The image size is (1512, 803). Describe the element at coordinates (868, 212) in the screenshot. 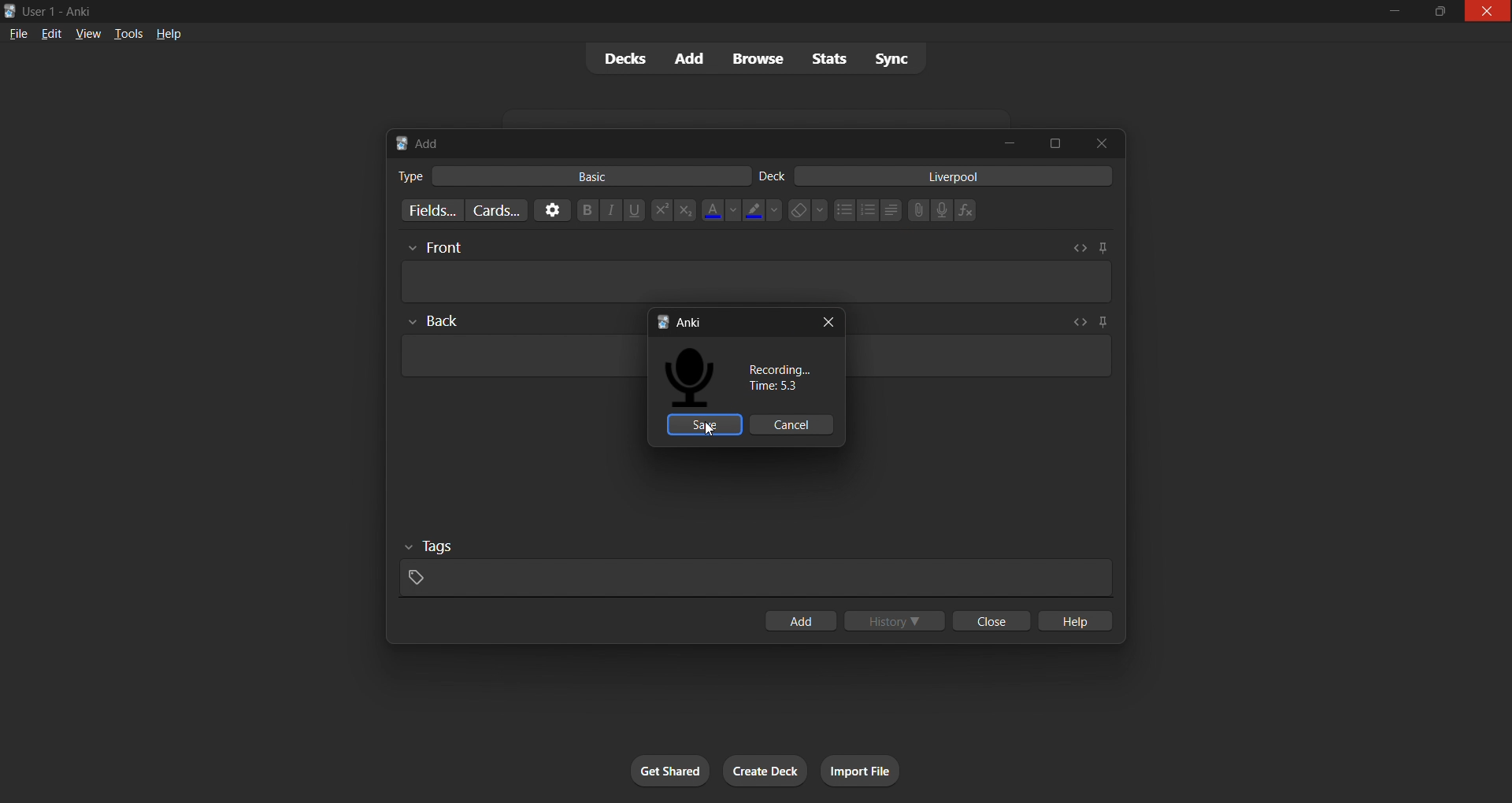

I see `ordered list` at that location.